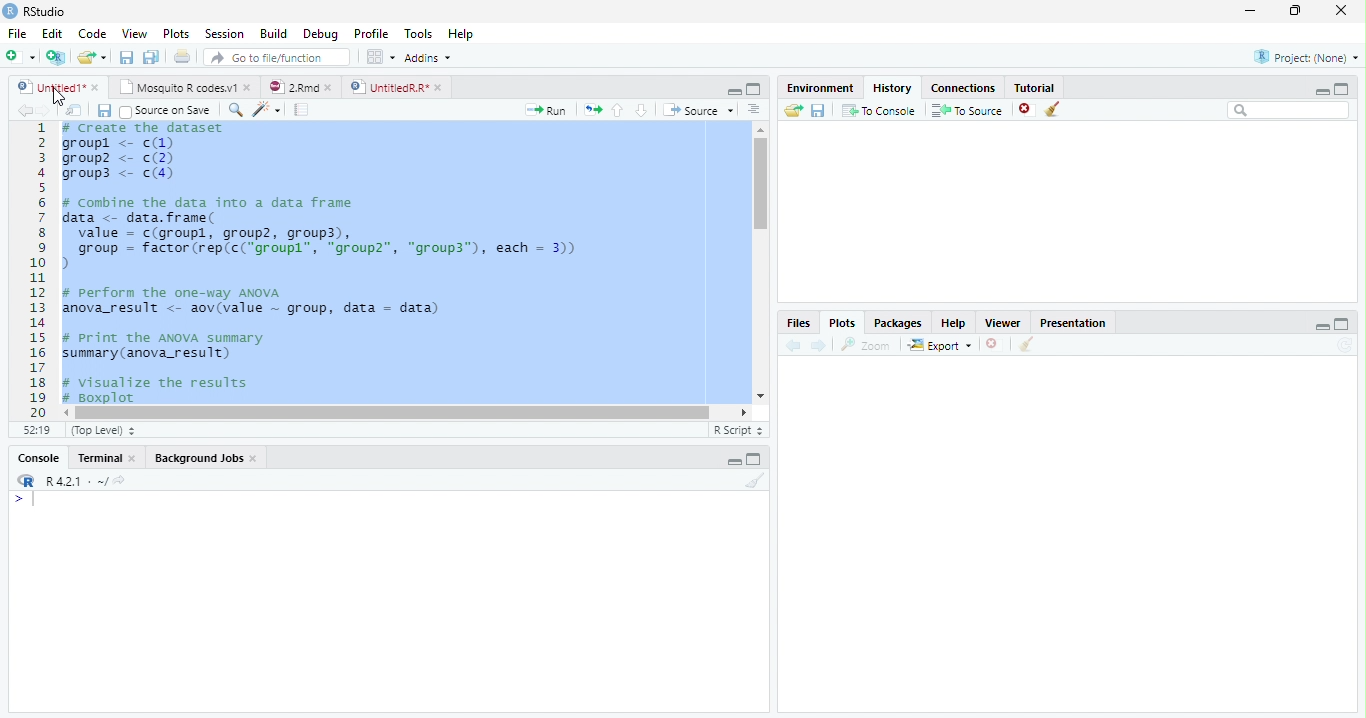 The height and width of the screenshot is (718, 1366). What do you see at coordinates (277, 58) in the screenshot?
I see `Go to file/function` at bounding box center [277, 58].